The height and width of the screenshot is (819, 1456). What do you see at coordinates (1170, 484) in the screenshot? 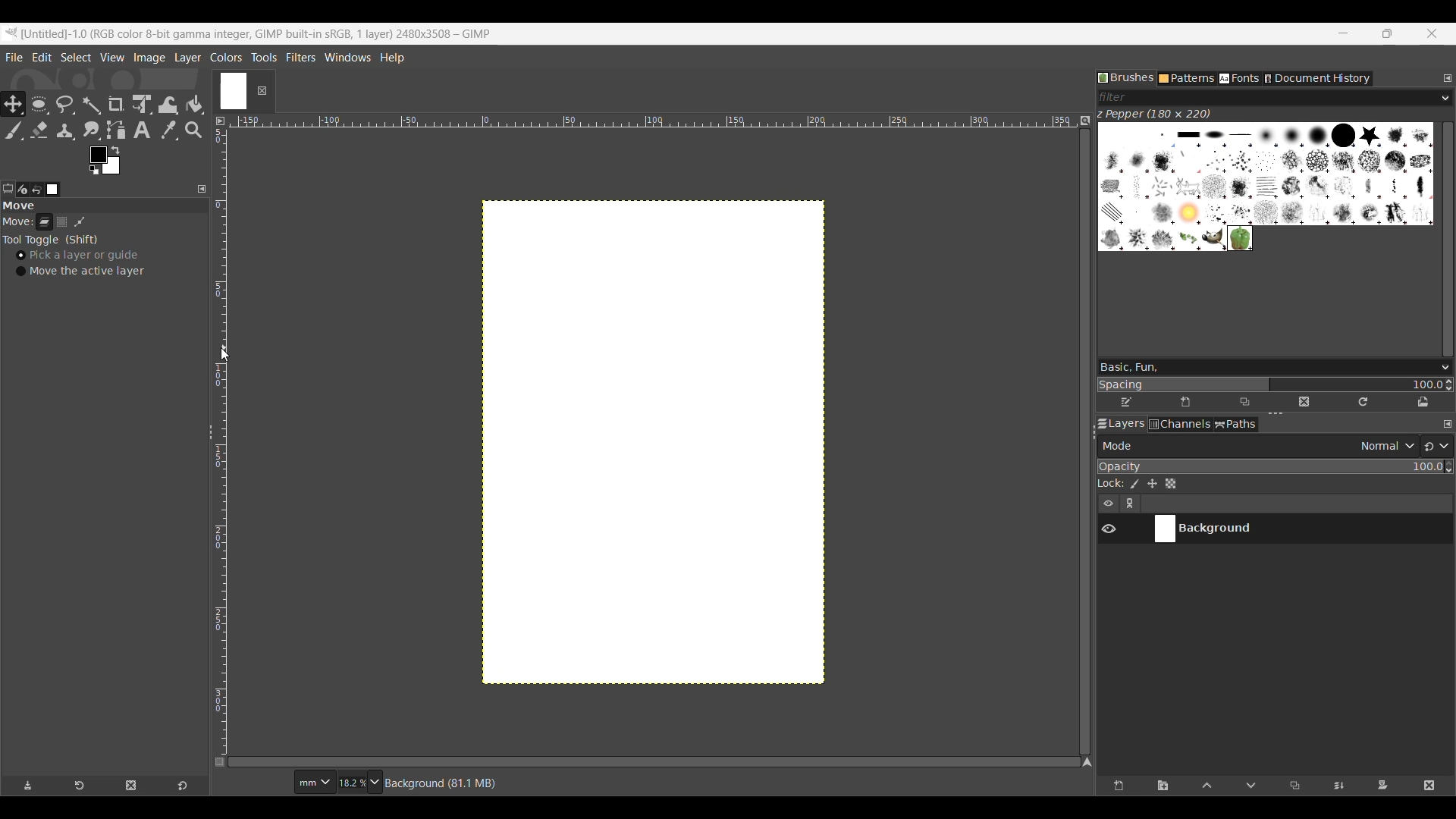
I see `Lock alpha channel` at bounding box center [1170, 484].